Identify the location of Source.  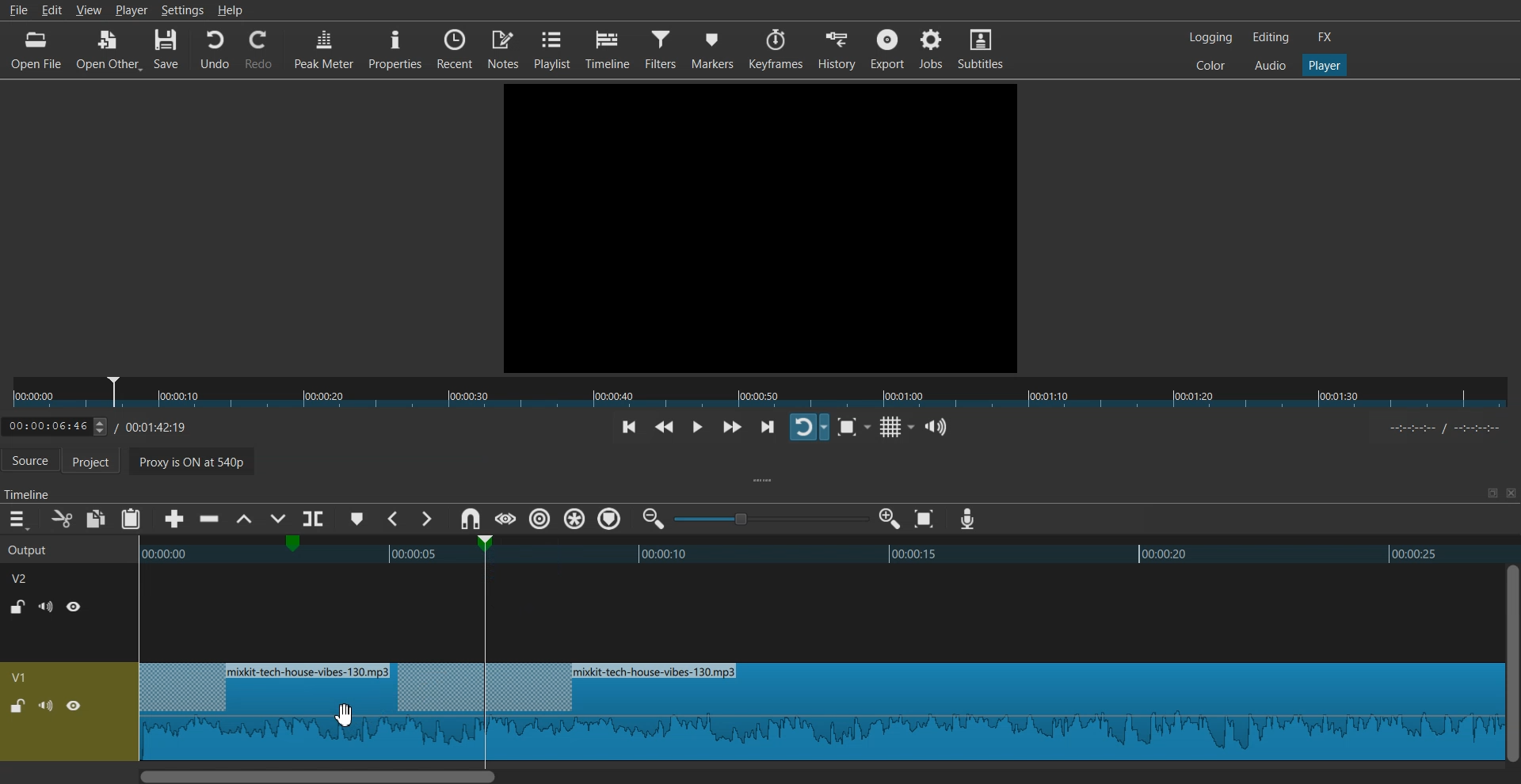
(30, 462).